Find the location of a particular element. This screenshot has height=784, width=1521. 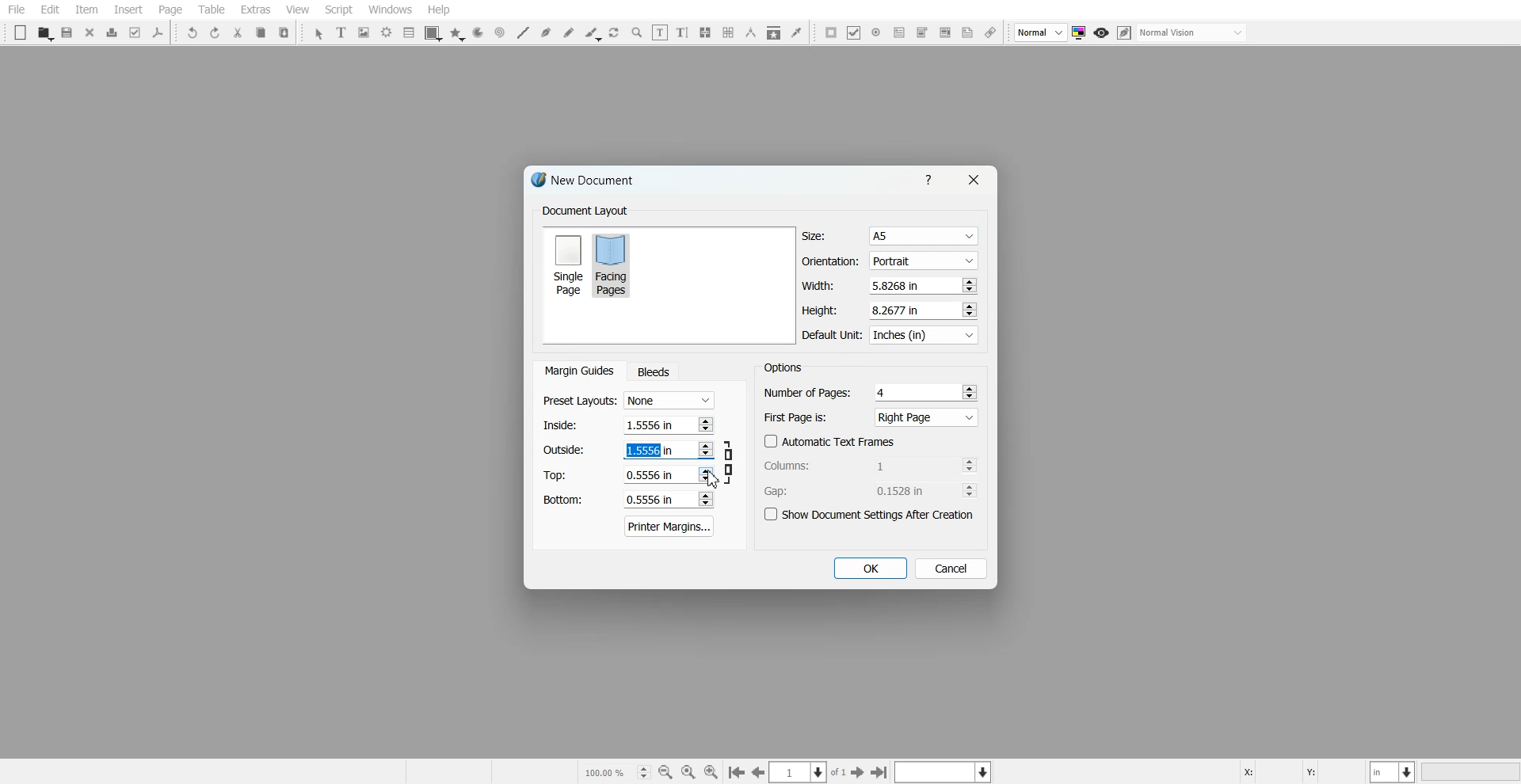

Go to the first page is located at coordinates (736, 773).